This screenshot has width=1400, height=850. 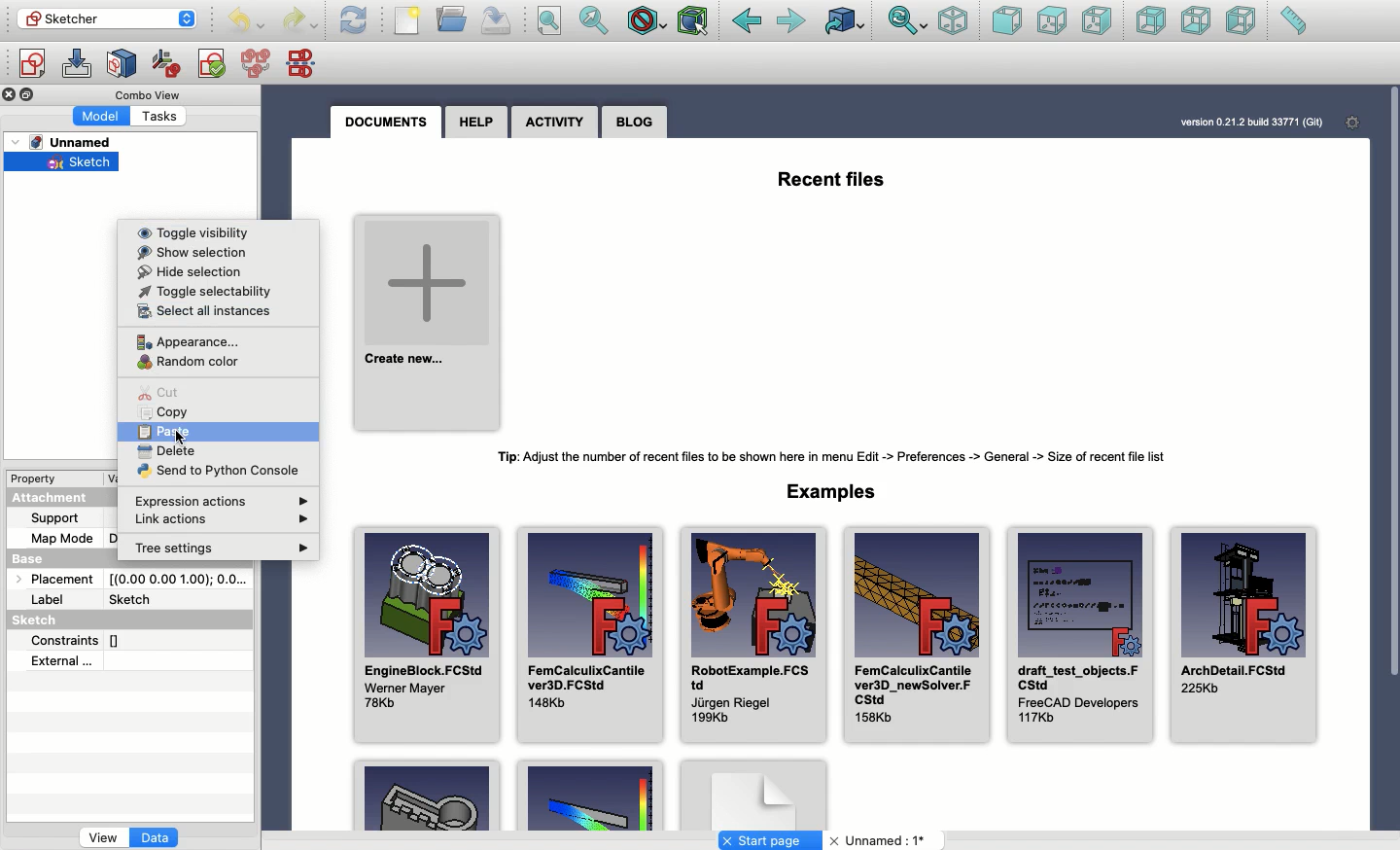 What do you see at coordinates (178, 600) in the screenshot?
I see `Sketch` at bounding box center [178, 600].